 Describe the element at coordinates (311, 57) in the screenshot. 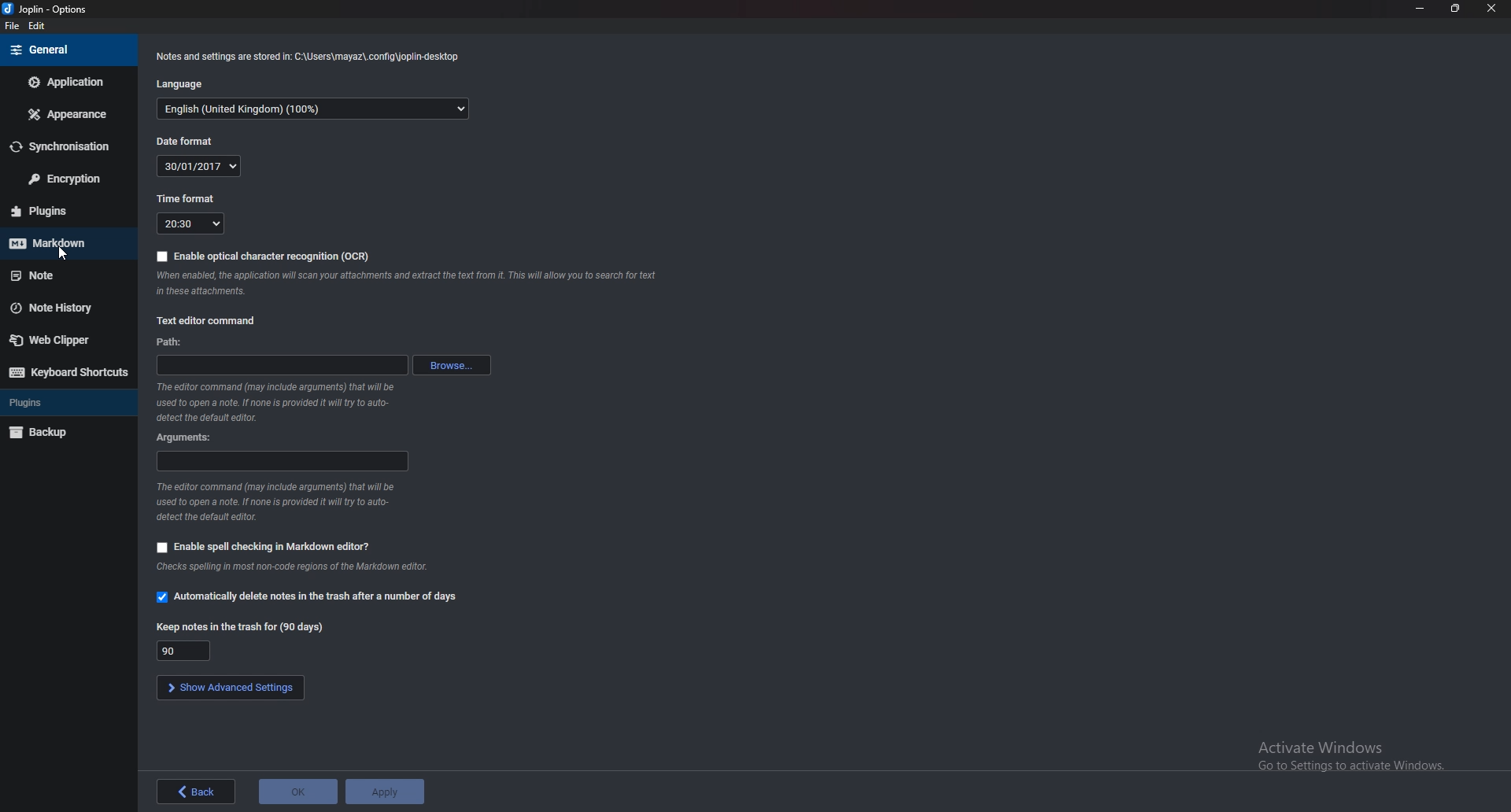

I see `Info` at that location.